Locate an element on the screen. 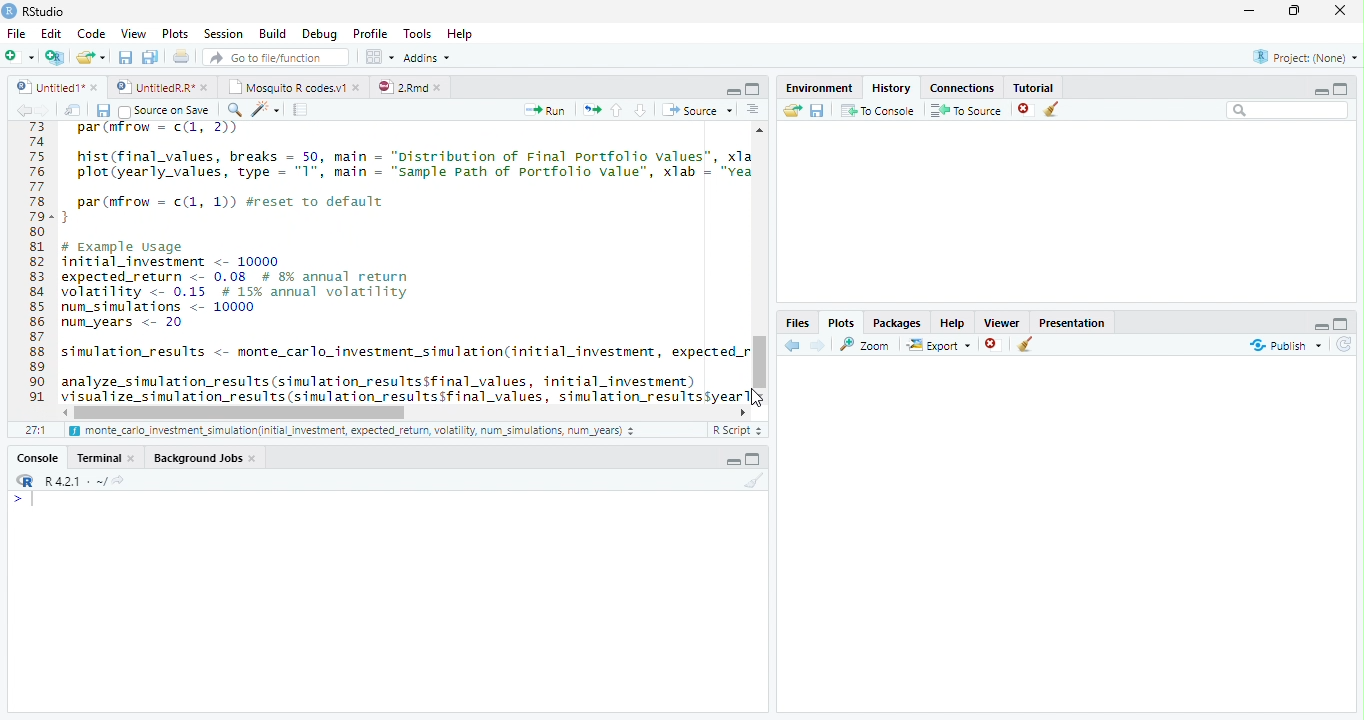  Compile Report is located at coordinates (303, 110).